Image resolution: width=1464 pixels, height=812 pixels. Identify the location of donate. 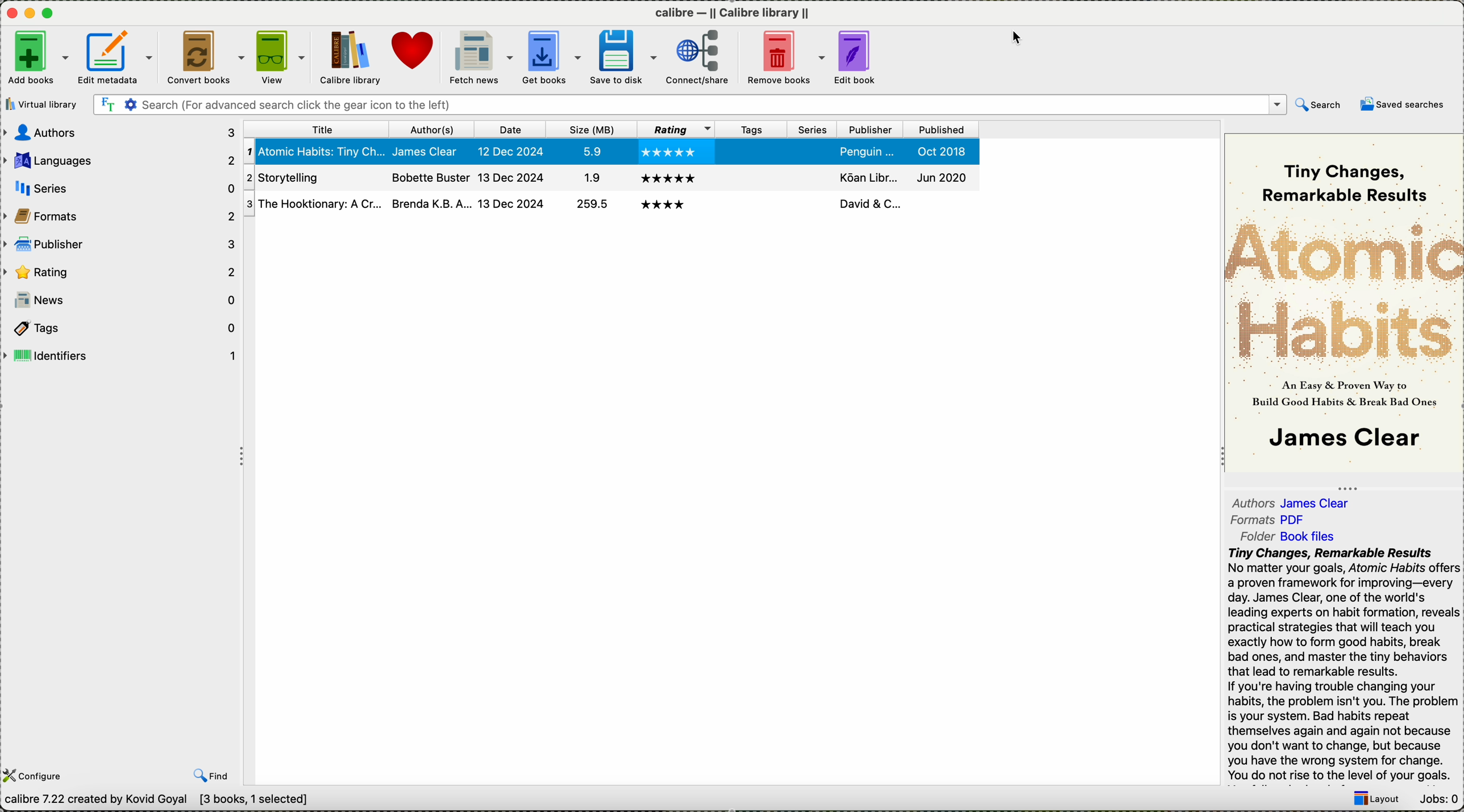
(413, 51).